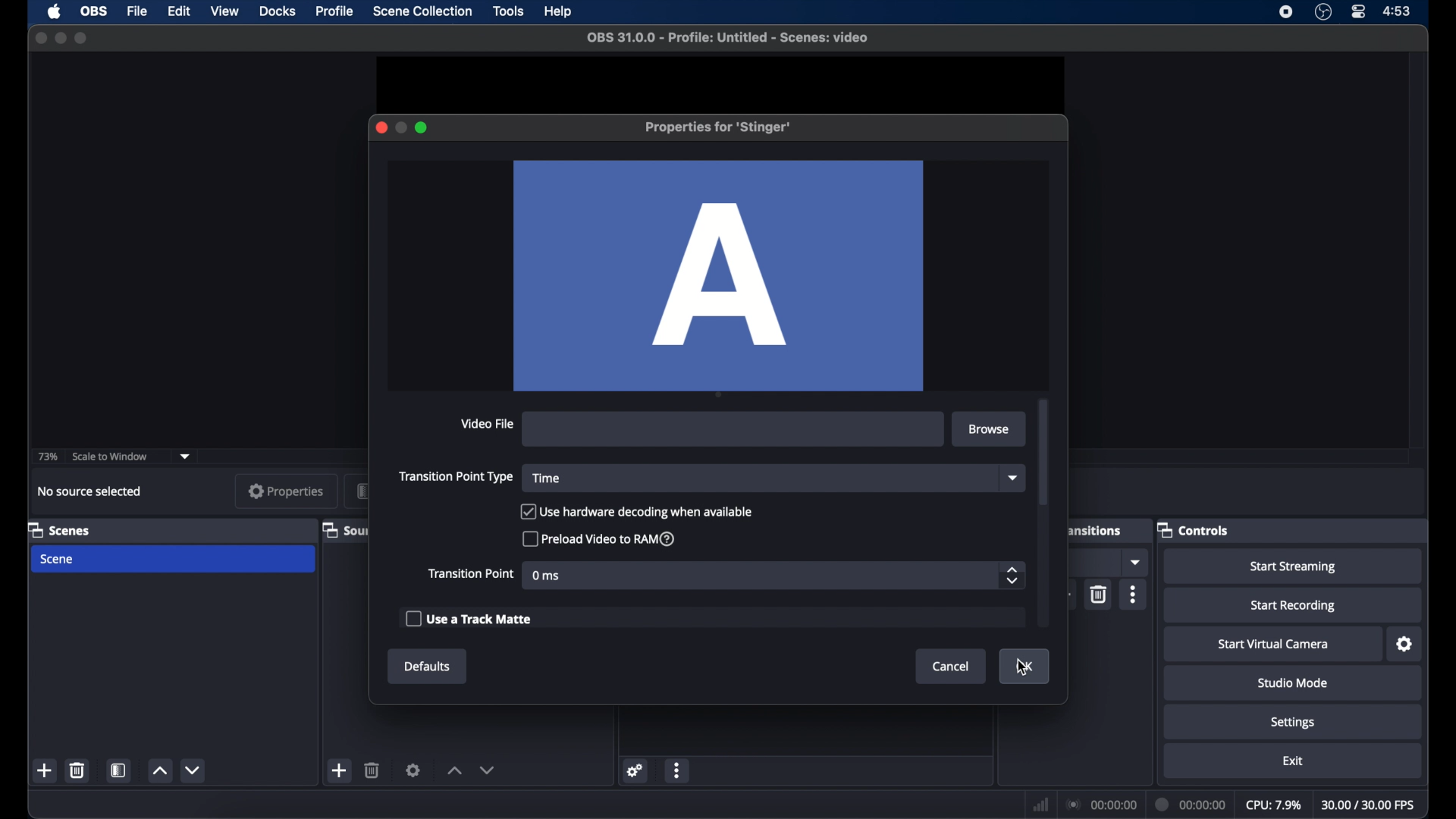  Describe the element at coordinates (1013, 478) in the screenshot. I see `dropdown` at that location.